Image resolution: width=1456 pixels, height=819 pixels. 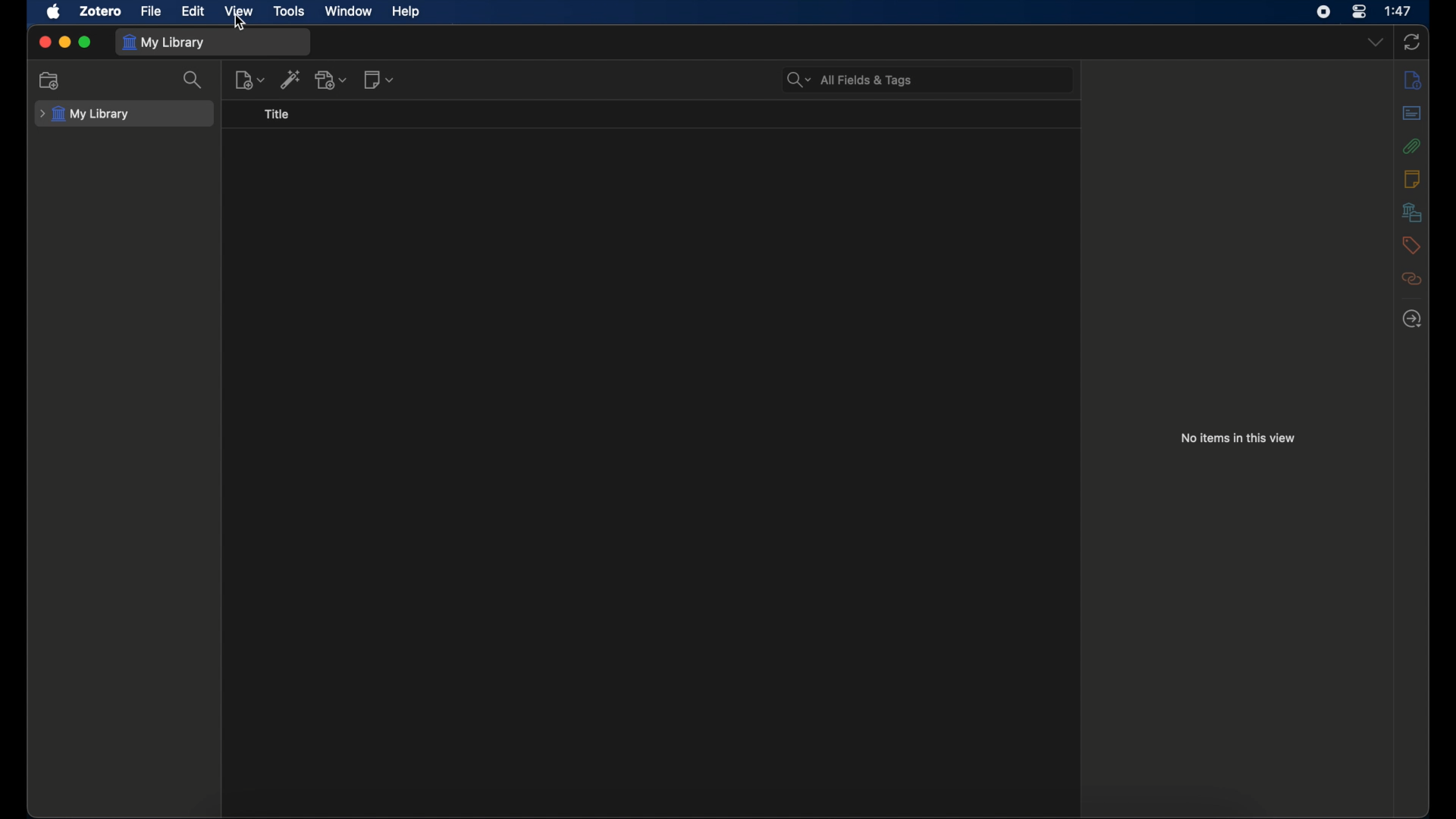 What do you see at coordinates (193, 11) in the screenshot?
I see `edit` at bounding box center [193, 11].